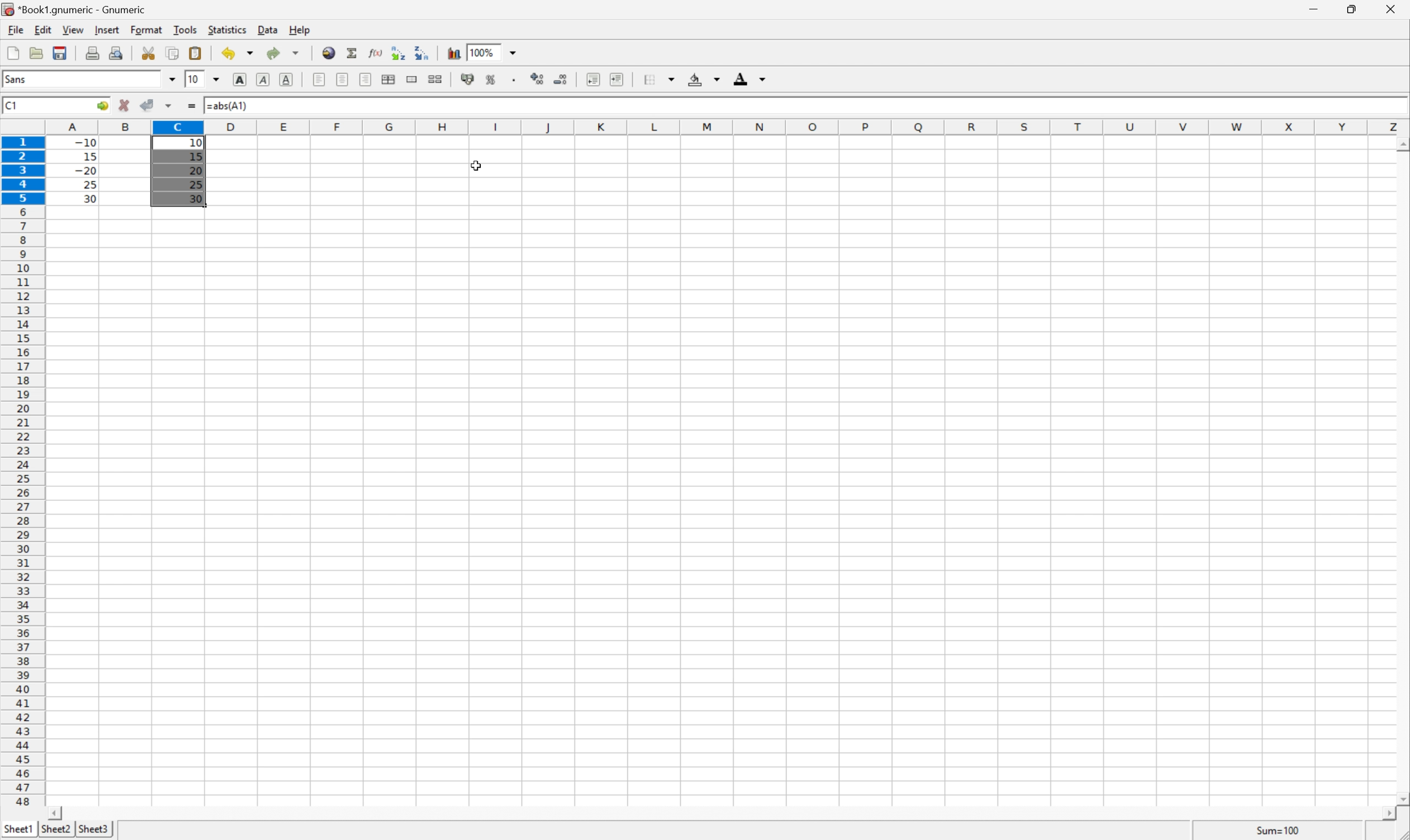 The height and width of the screenshot is (840, 1410). I want to click on bold, so click(237, 78).